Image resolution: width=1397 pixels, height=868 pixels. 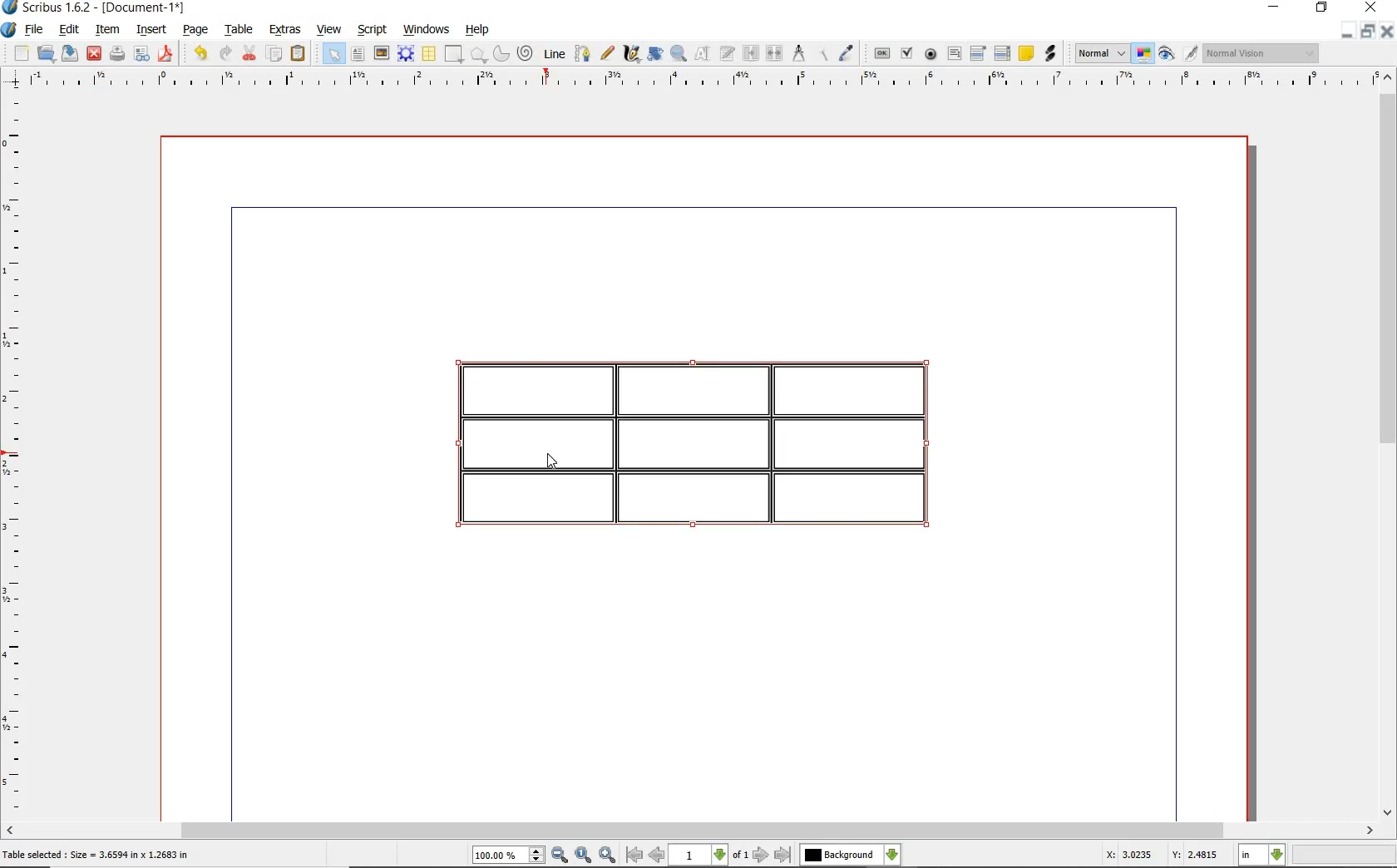 I want to click on scrollbar, so click(x=1389, y=442).